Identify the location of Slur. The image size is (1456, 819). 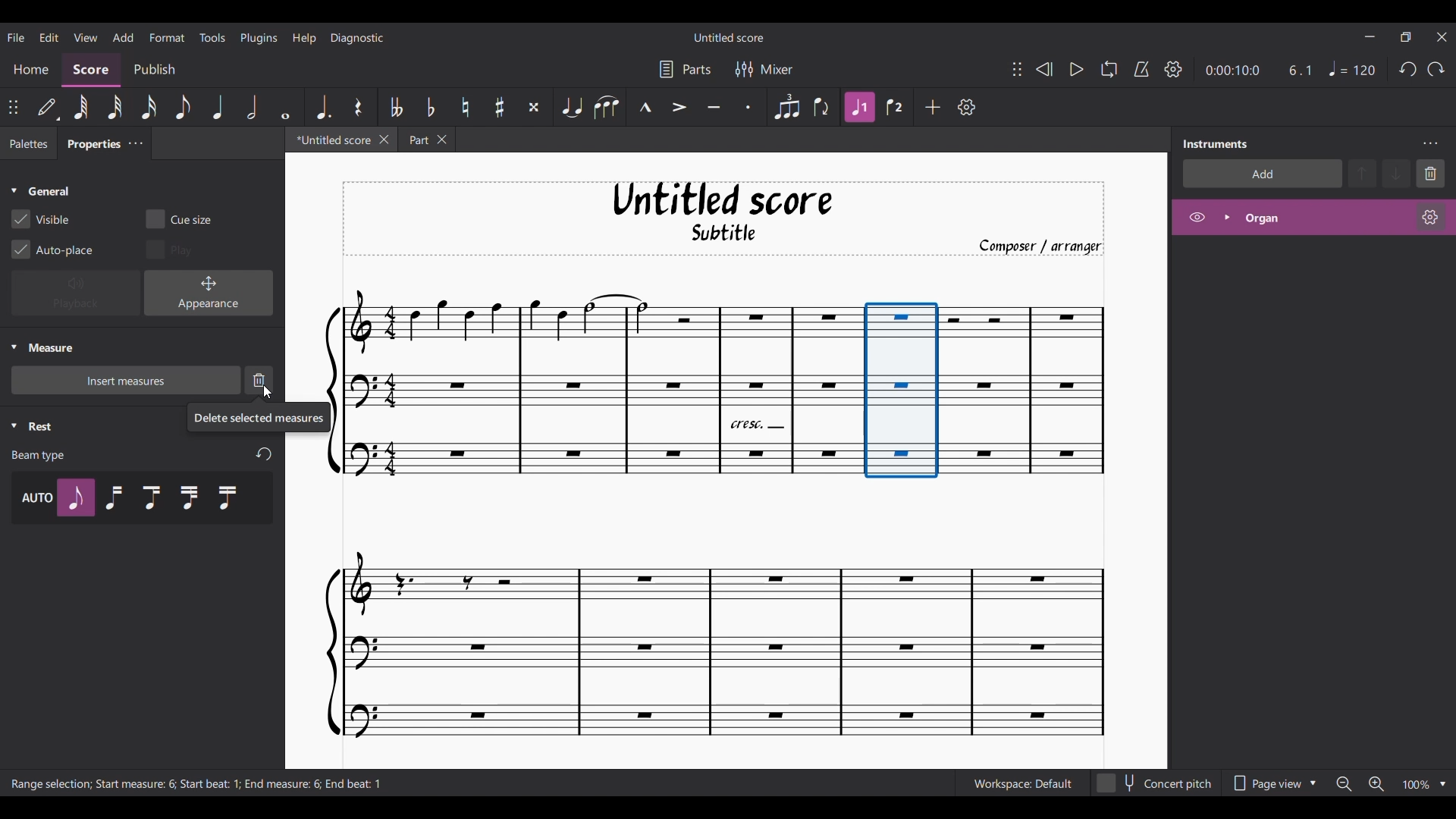
(606, 107).